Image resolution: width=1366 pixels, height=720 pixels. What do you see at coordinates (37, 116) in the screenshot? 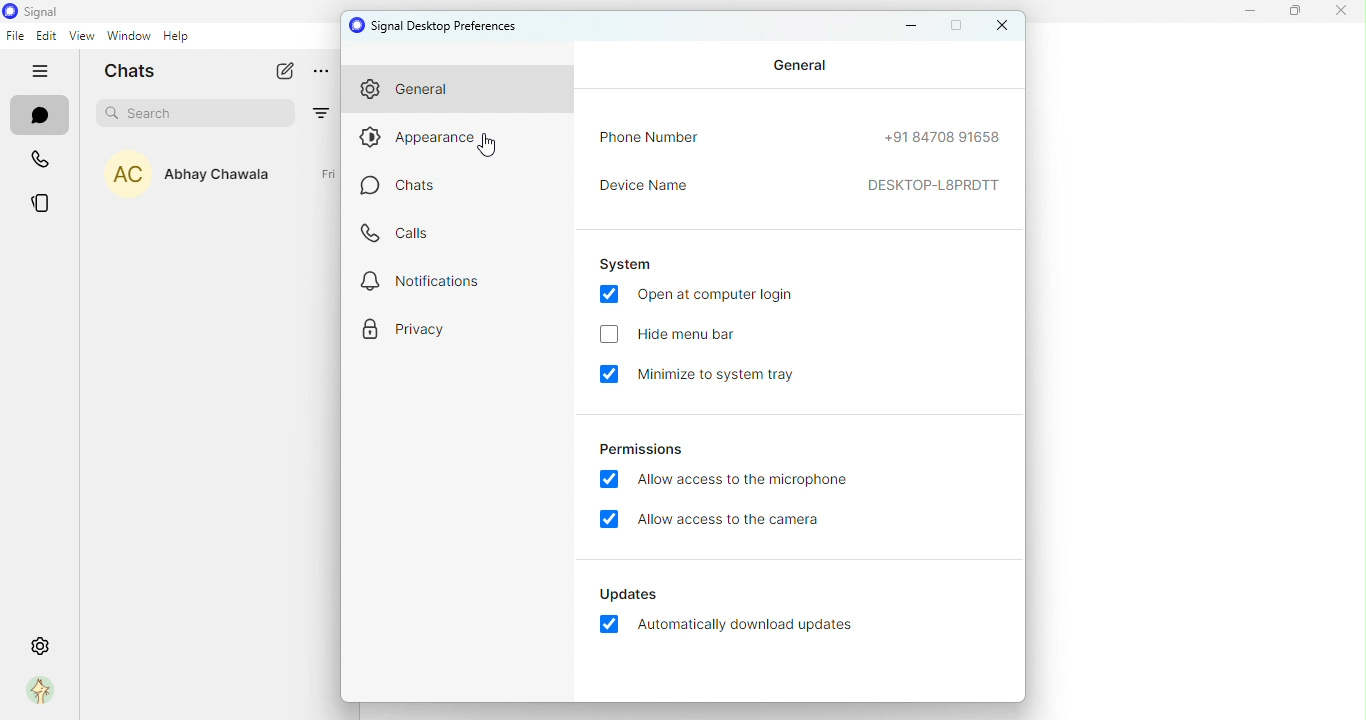
I see `chats` at bounding box center [37, 116].